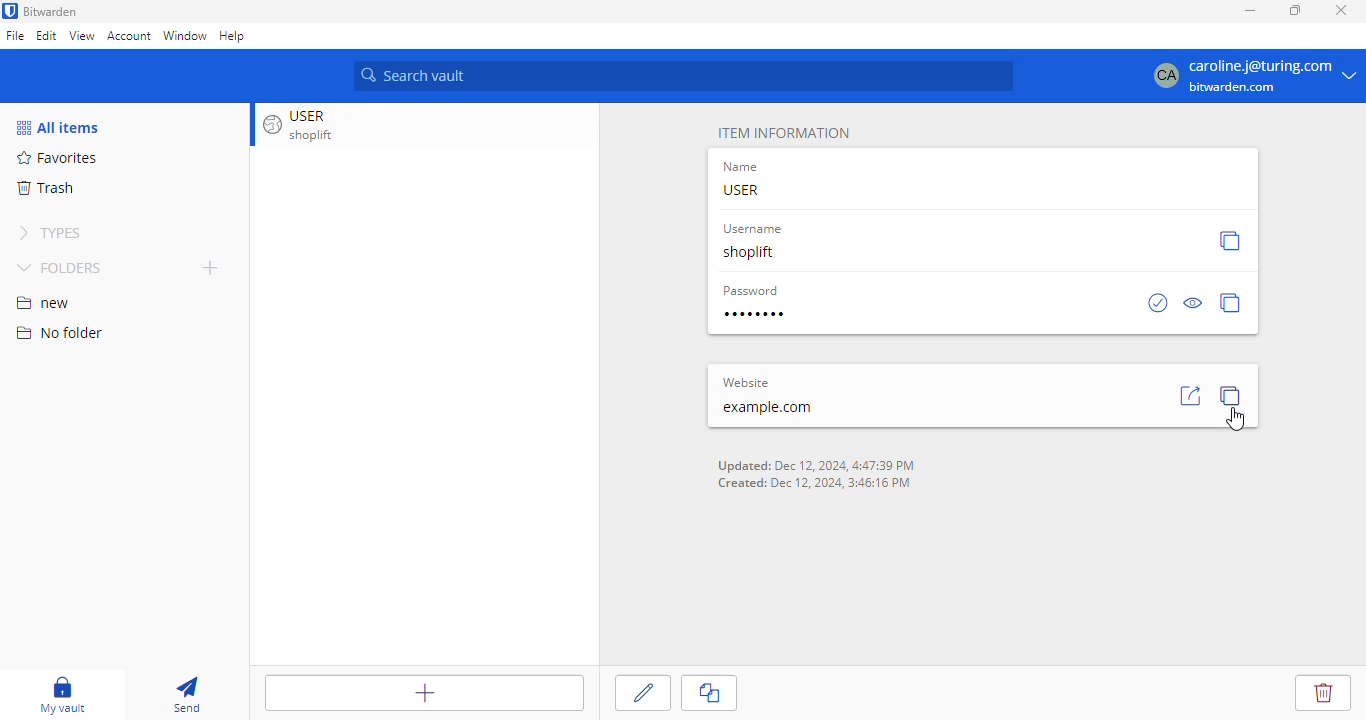 Image resolution: width=1366 pixels, height=720 pixels. What do you see at coordinates (9, 11) in the screenshot?
I see `logo` at bounding box center [9, 11].